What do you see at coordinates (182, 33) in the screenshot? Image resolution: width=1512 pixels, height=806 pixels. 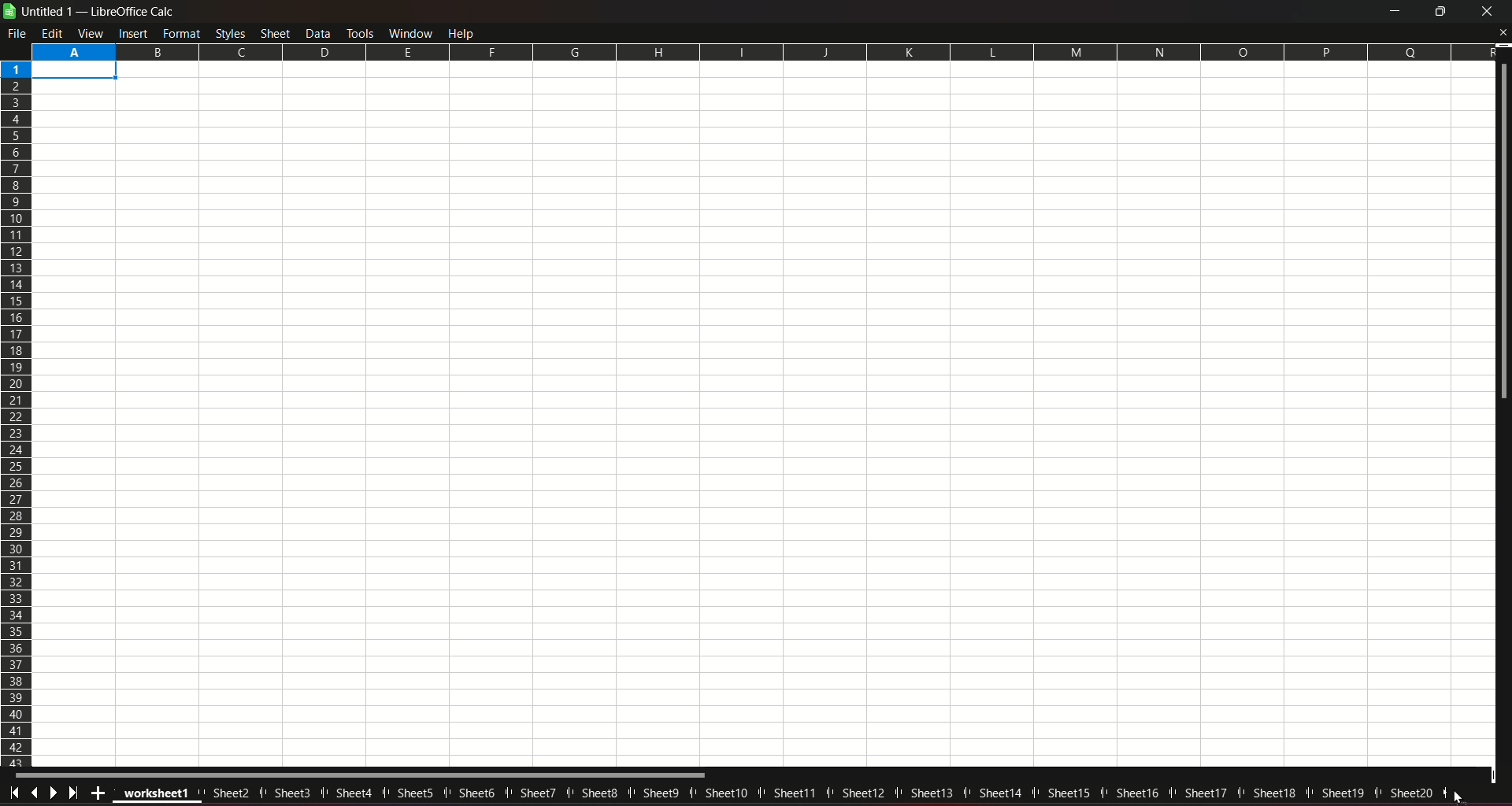 I see `format` at bounding box center [182, 33].